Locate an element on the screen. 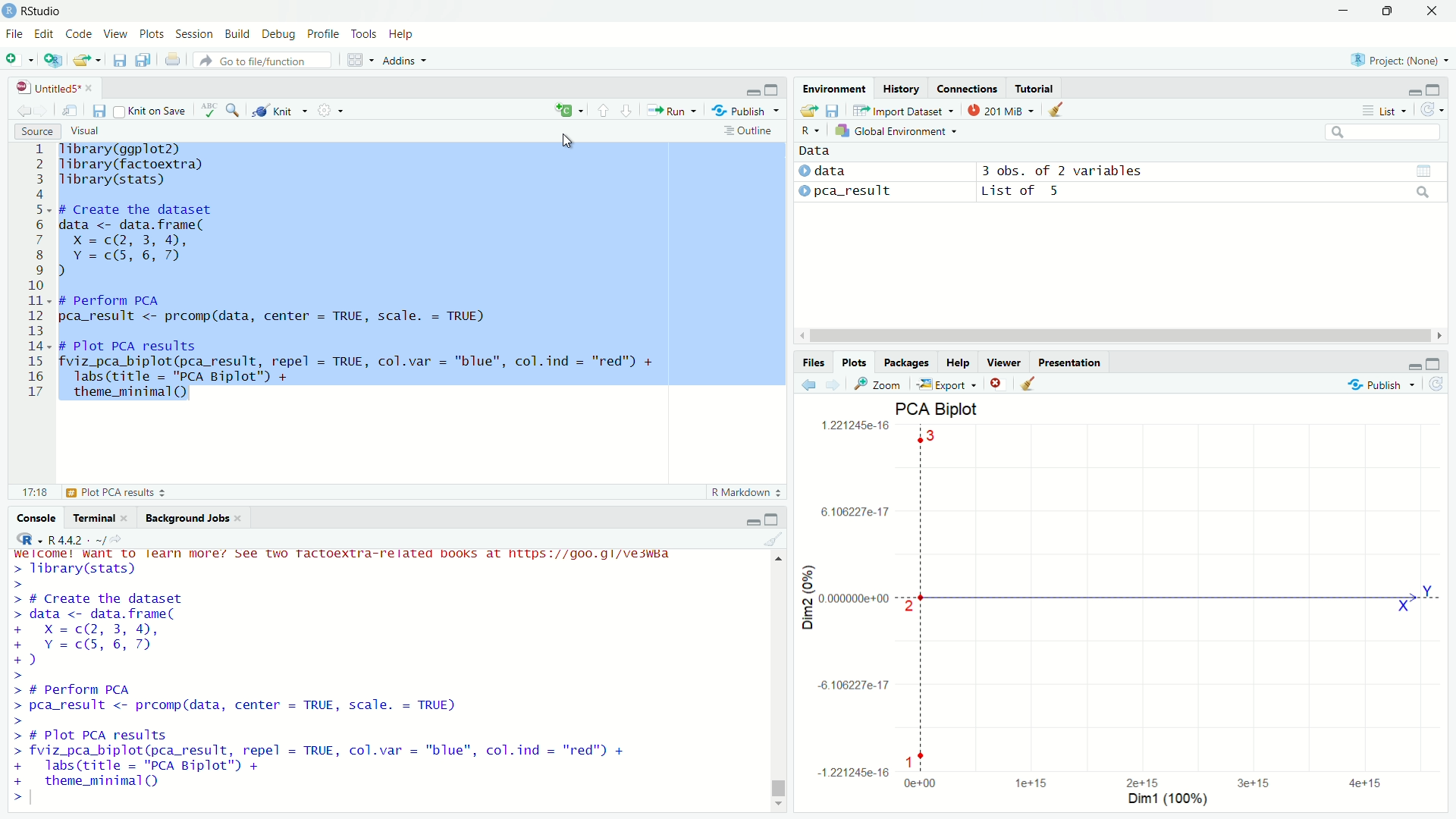 This screenshot has width=1456, height=819. Plots is located at coordinates (855, 362).